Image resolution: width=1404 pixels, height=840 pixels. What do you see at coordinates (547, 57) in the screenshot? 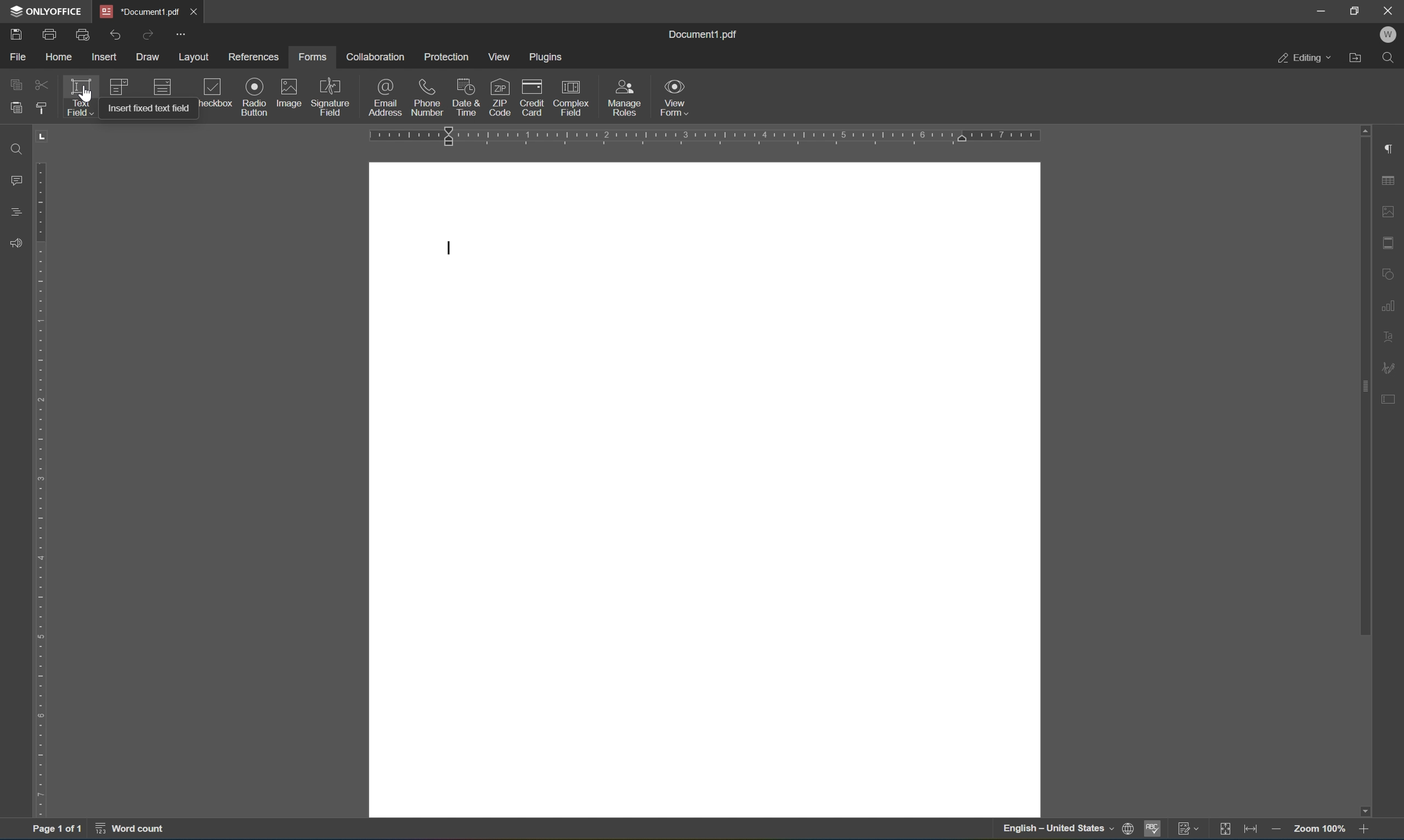
I see `plugins` at bounding box center [547, 57].